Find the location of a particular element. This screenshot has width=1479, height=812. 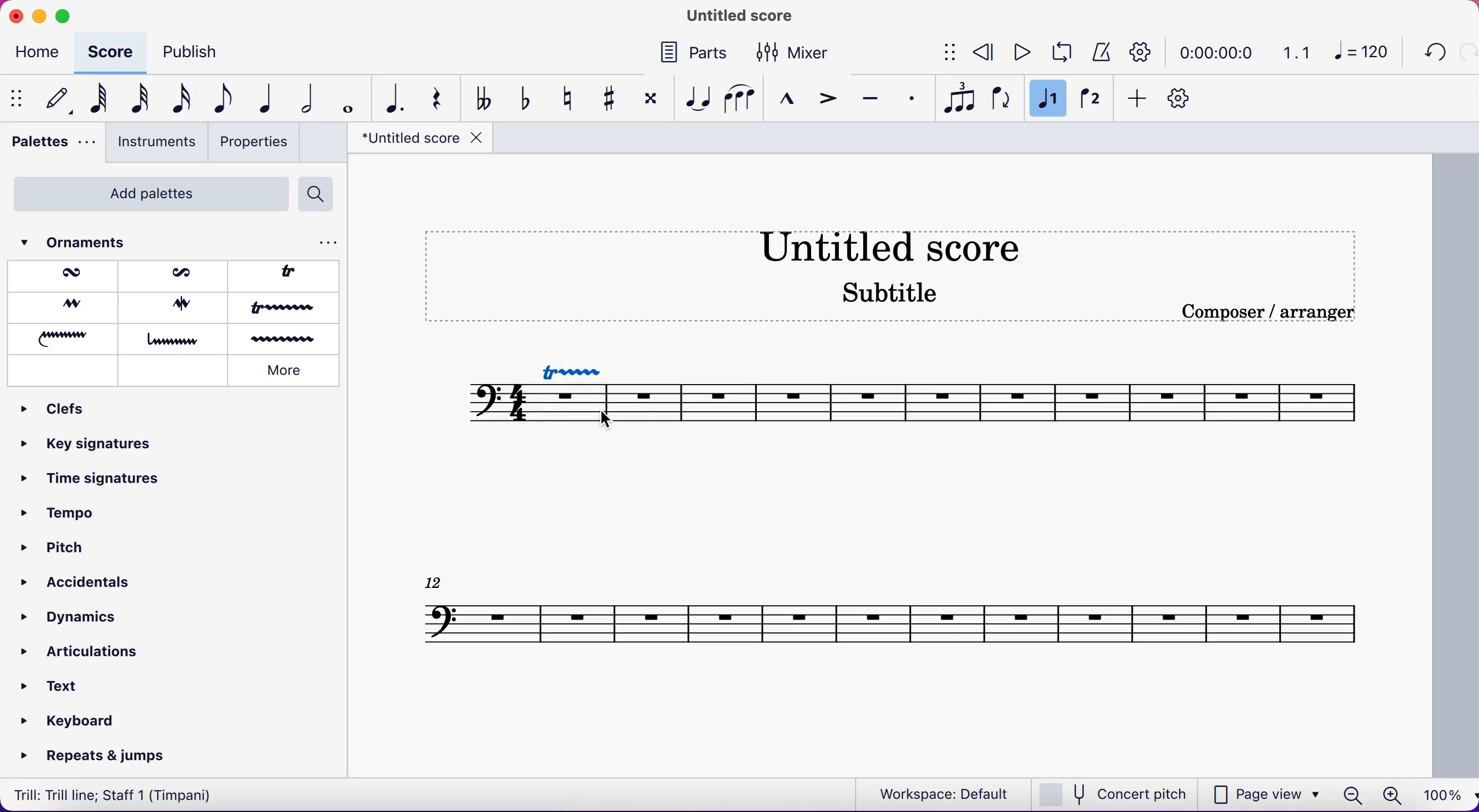

64th note is located at coordinates (94, 100).